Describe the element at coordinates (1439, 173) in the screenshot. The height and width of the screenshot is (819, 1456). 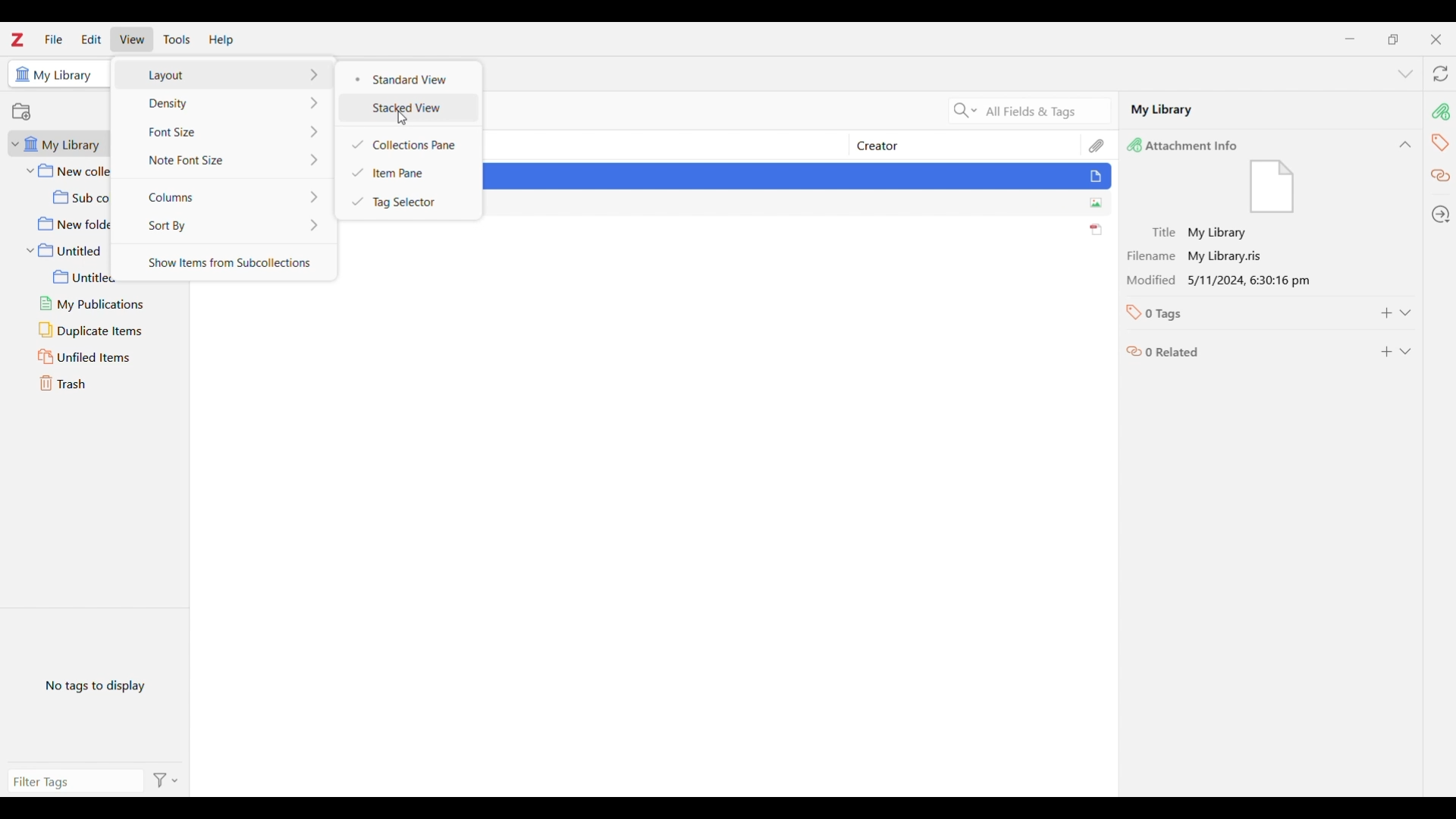
I see `Related` at that location.